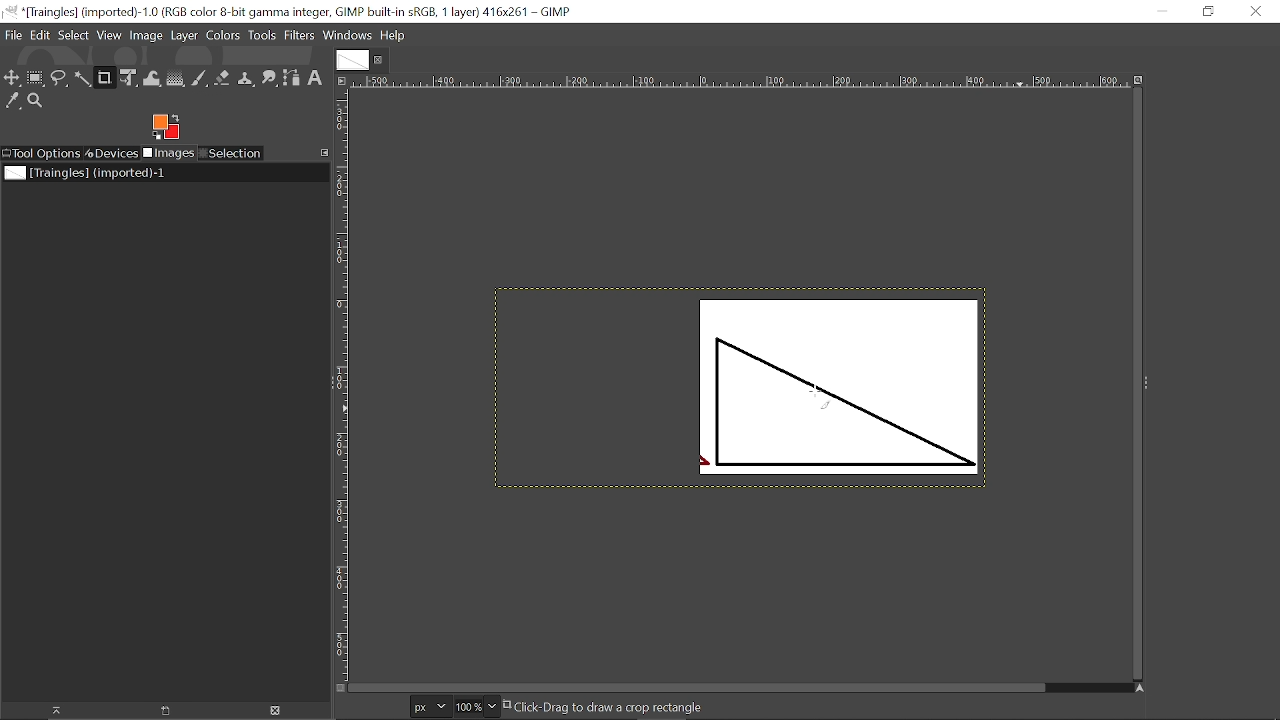  What do you see at coordinates (74, 36) in the screenshot?
I see `Select` at bounding box center [74, 36].